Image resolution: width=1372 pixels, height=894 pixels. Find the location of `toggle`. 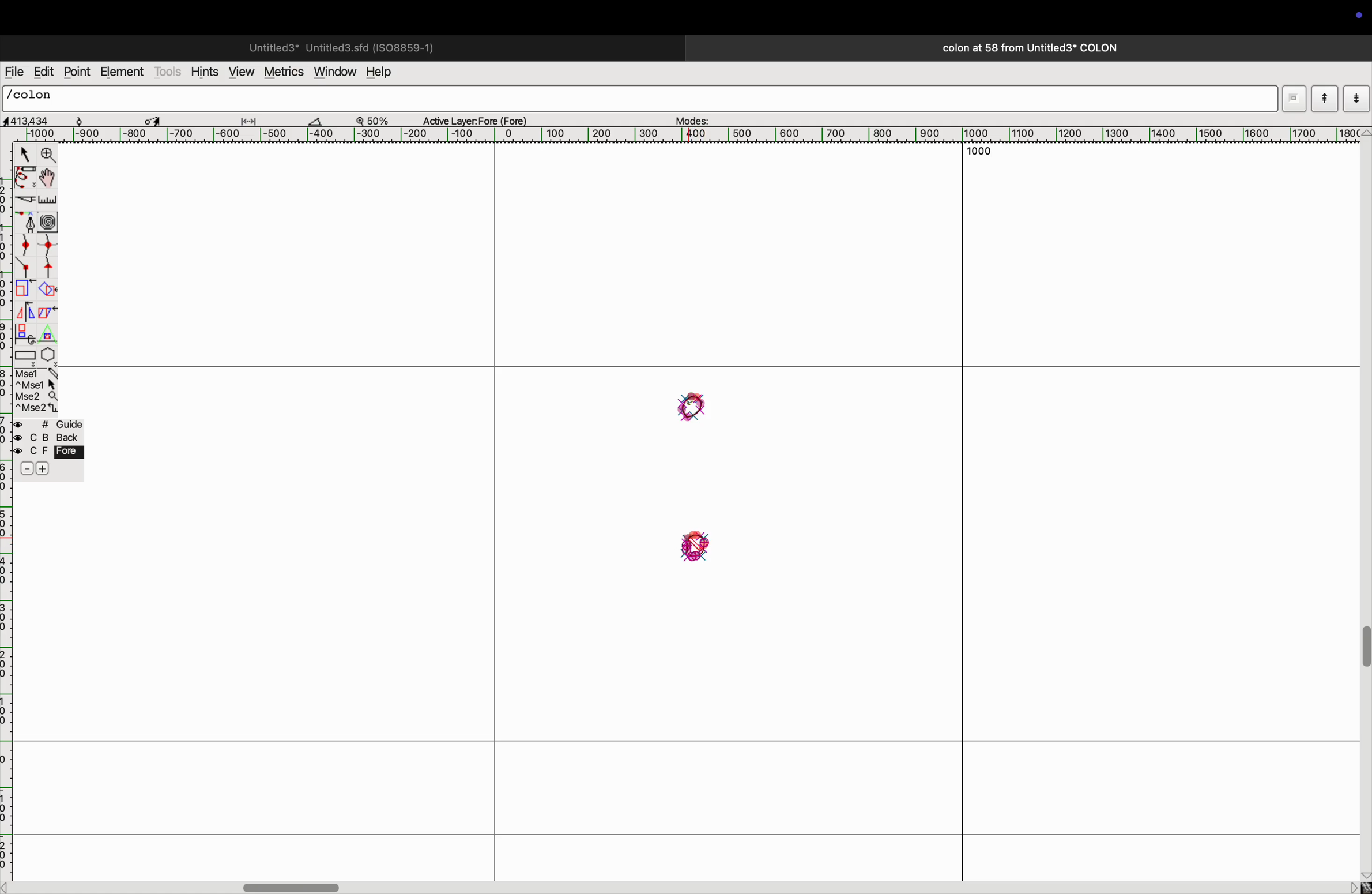

toggle is located at coordinates (153, 119).